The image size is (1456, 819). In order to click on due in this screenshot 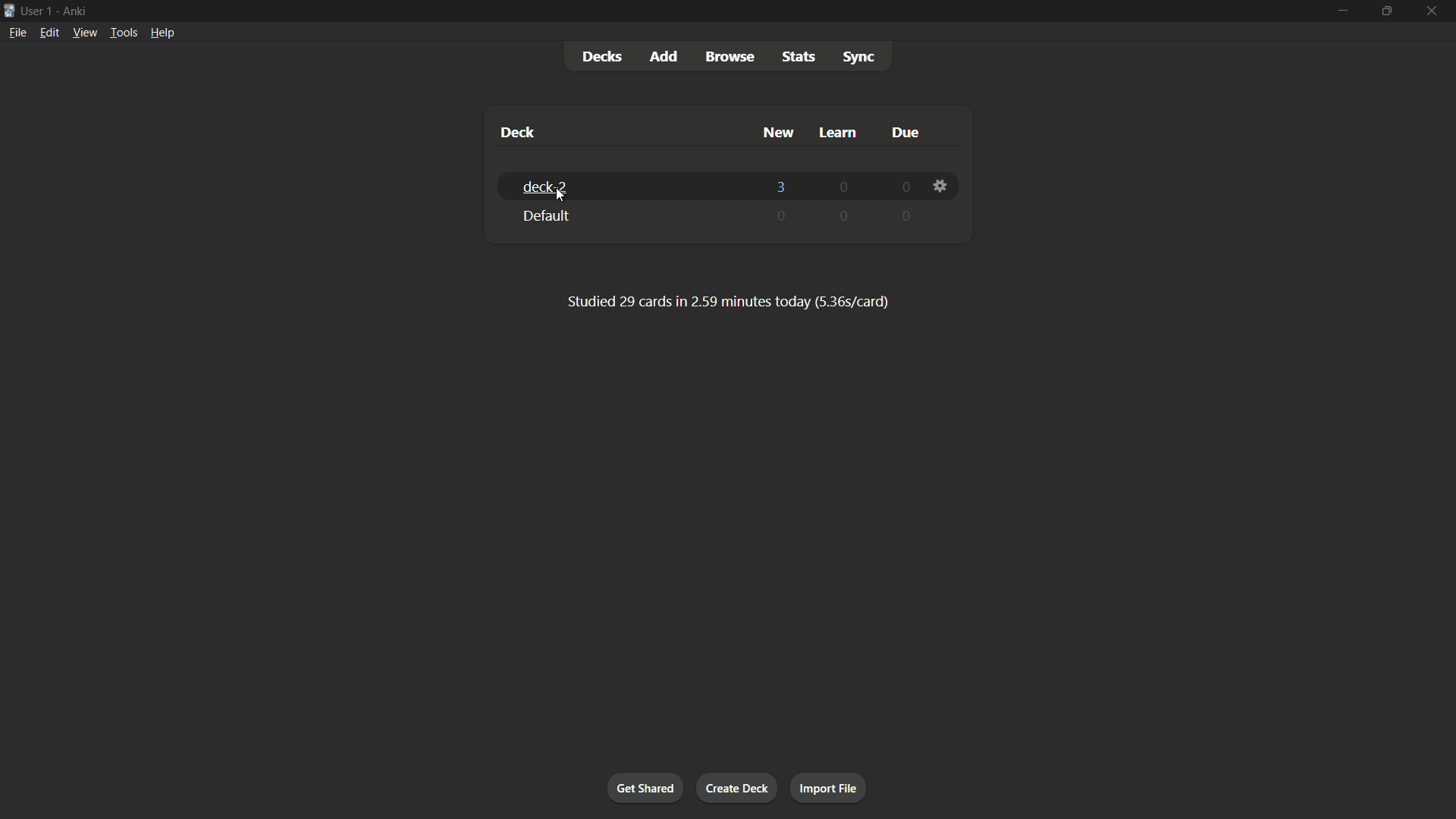, I will do `click(905, 133)`.